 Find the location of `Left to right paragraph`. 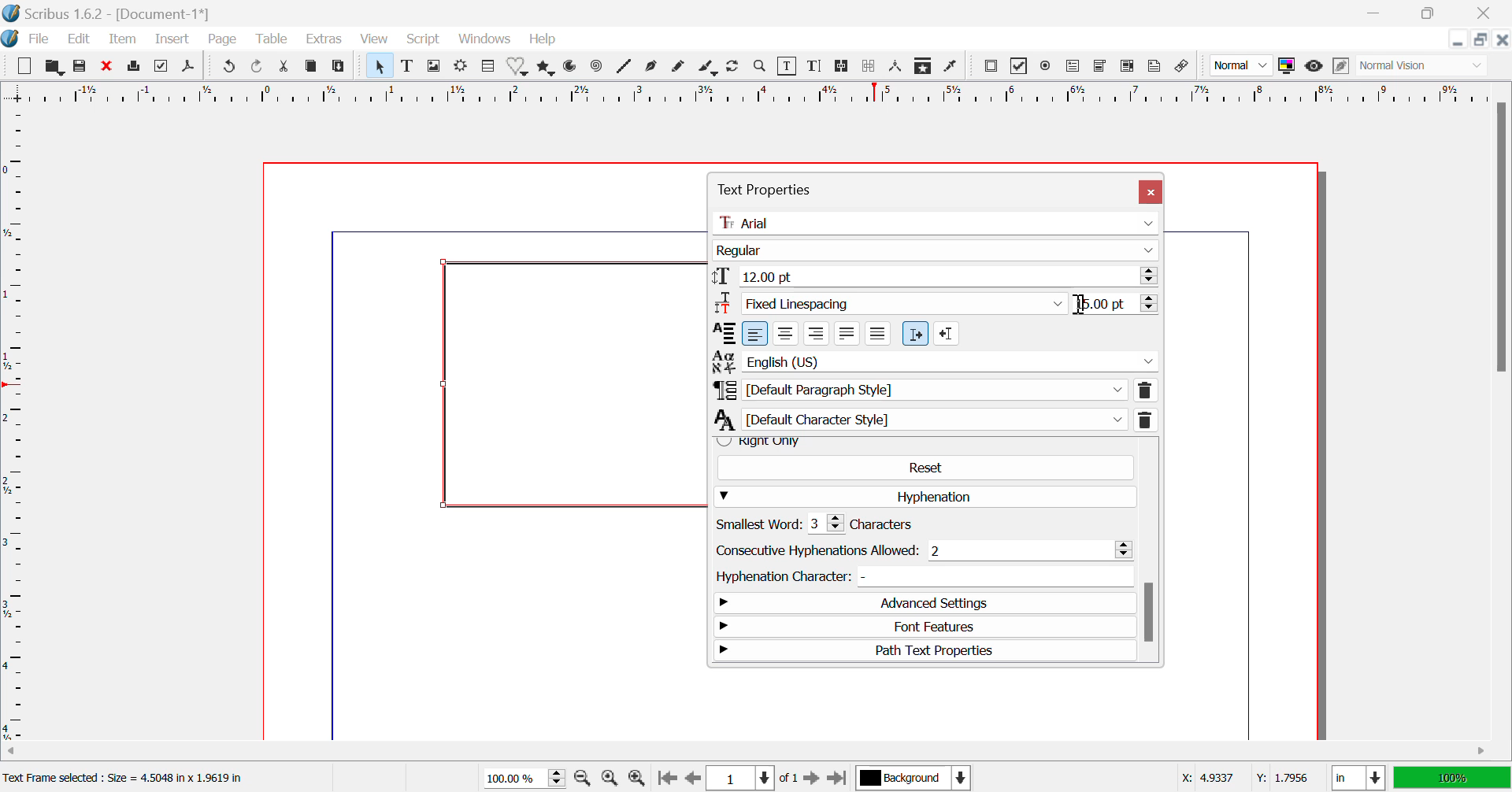

Left to right paragraph is located at coordinates (915, 334).